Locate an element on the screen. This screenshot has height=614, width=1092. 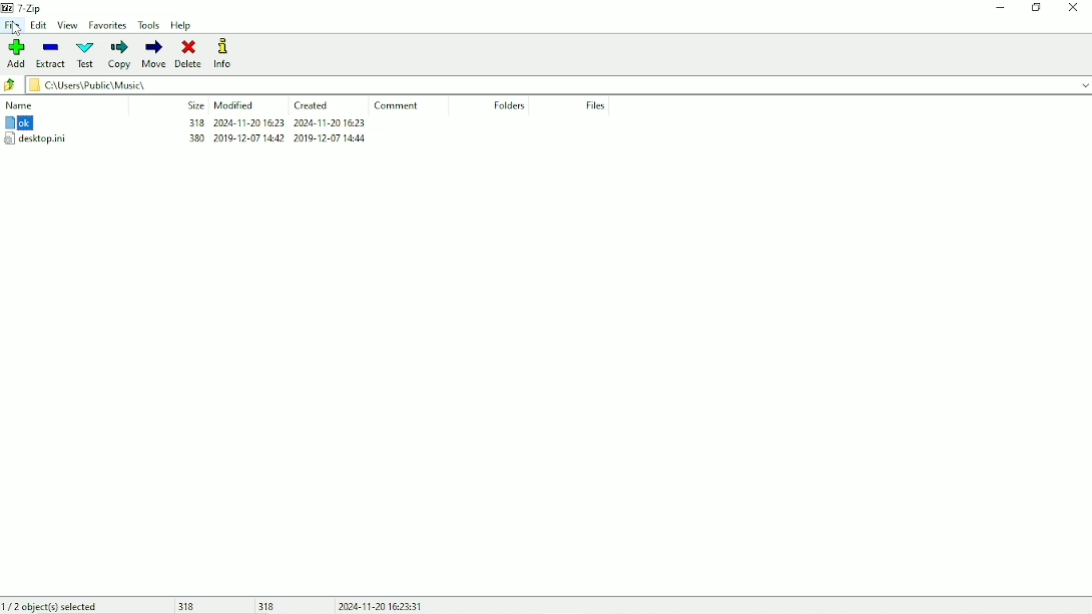
File location is located at coordinates (548, 84).